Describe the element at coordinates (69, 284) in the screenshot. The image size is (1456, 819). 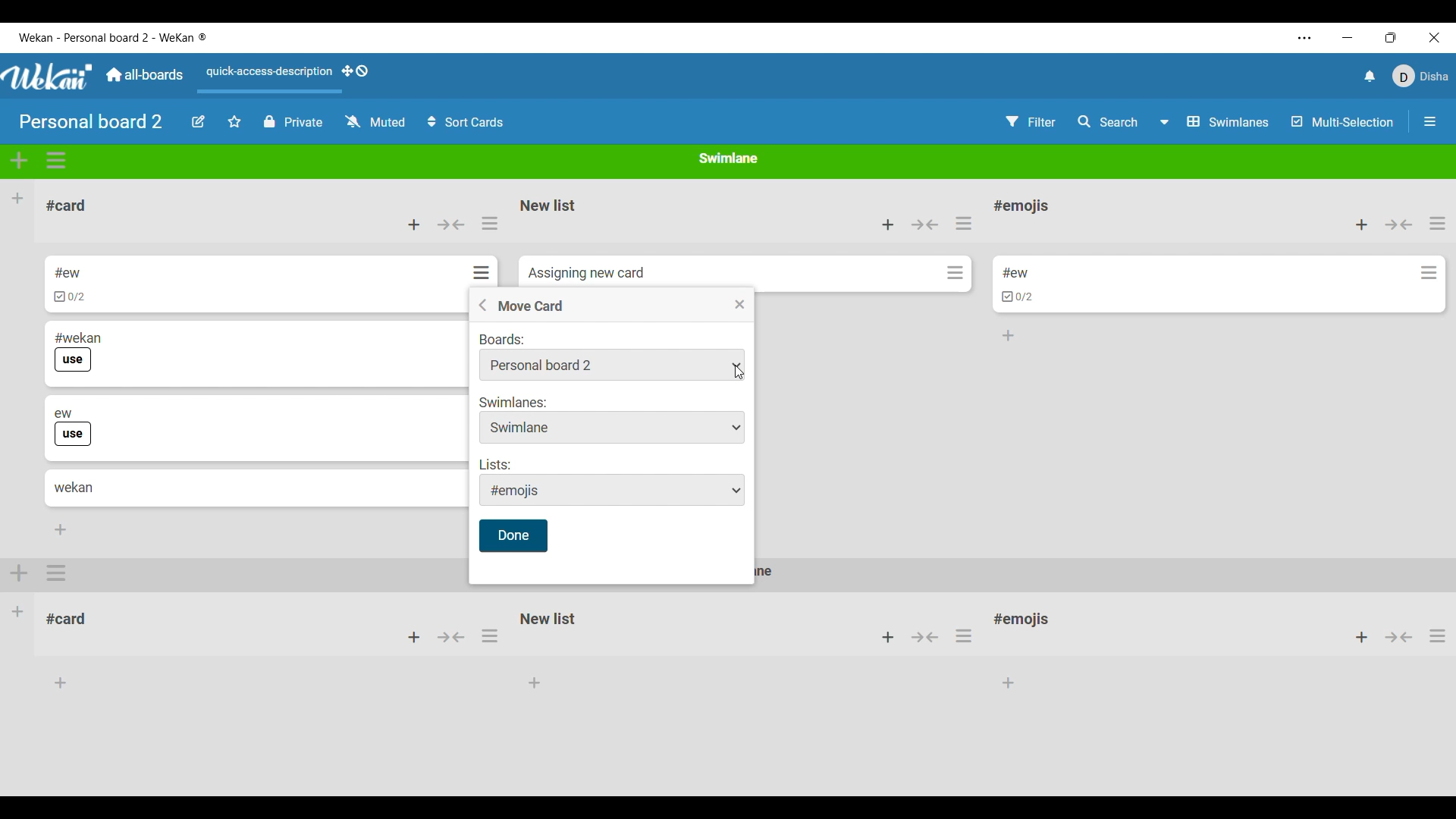
I see `Card title and checklist` at that location.